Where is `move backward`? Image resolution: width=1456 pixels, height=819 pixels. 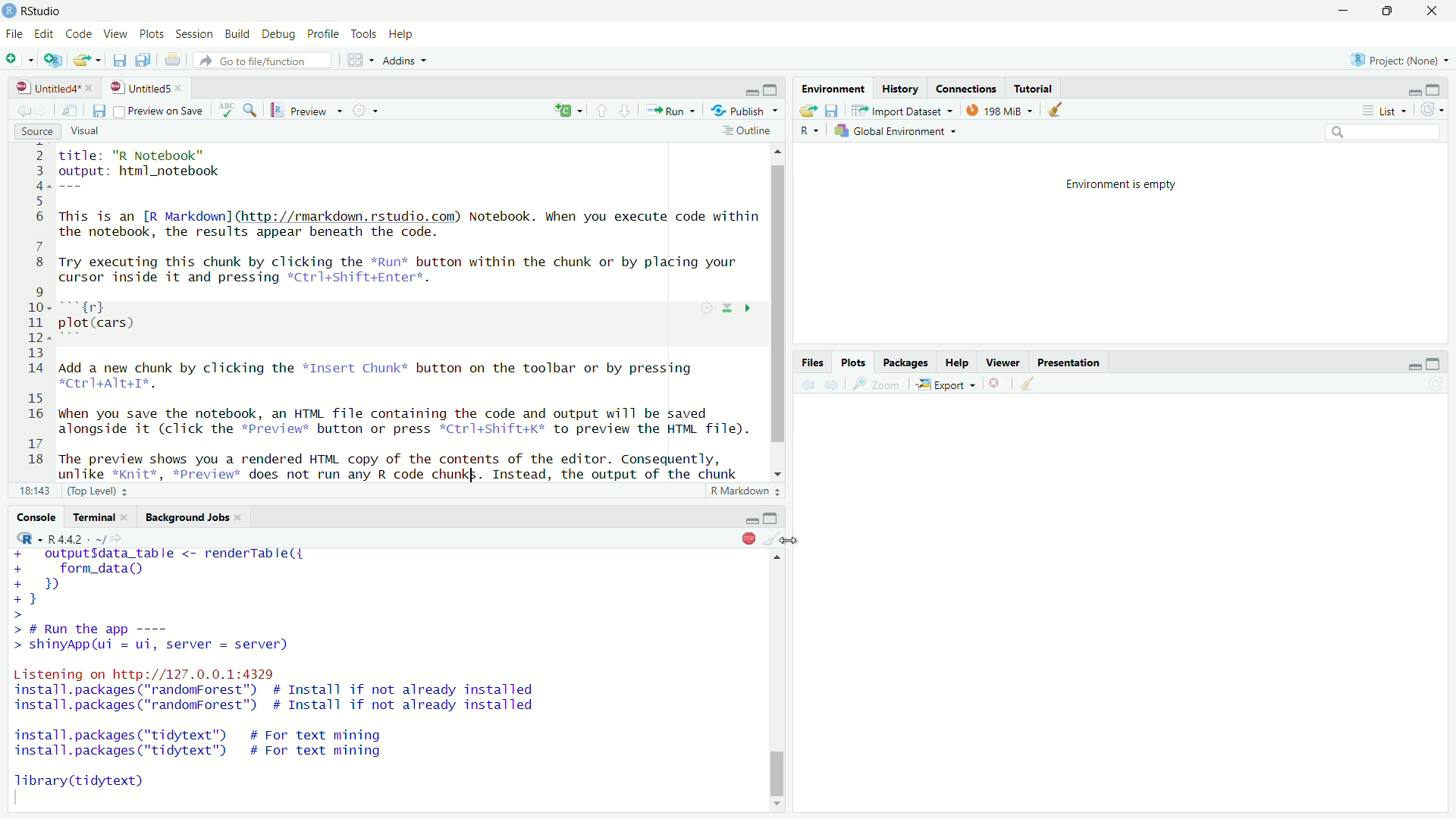 move backward is located at coordinates (807, 386).